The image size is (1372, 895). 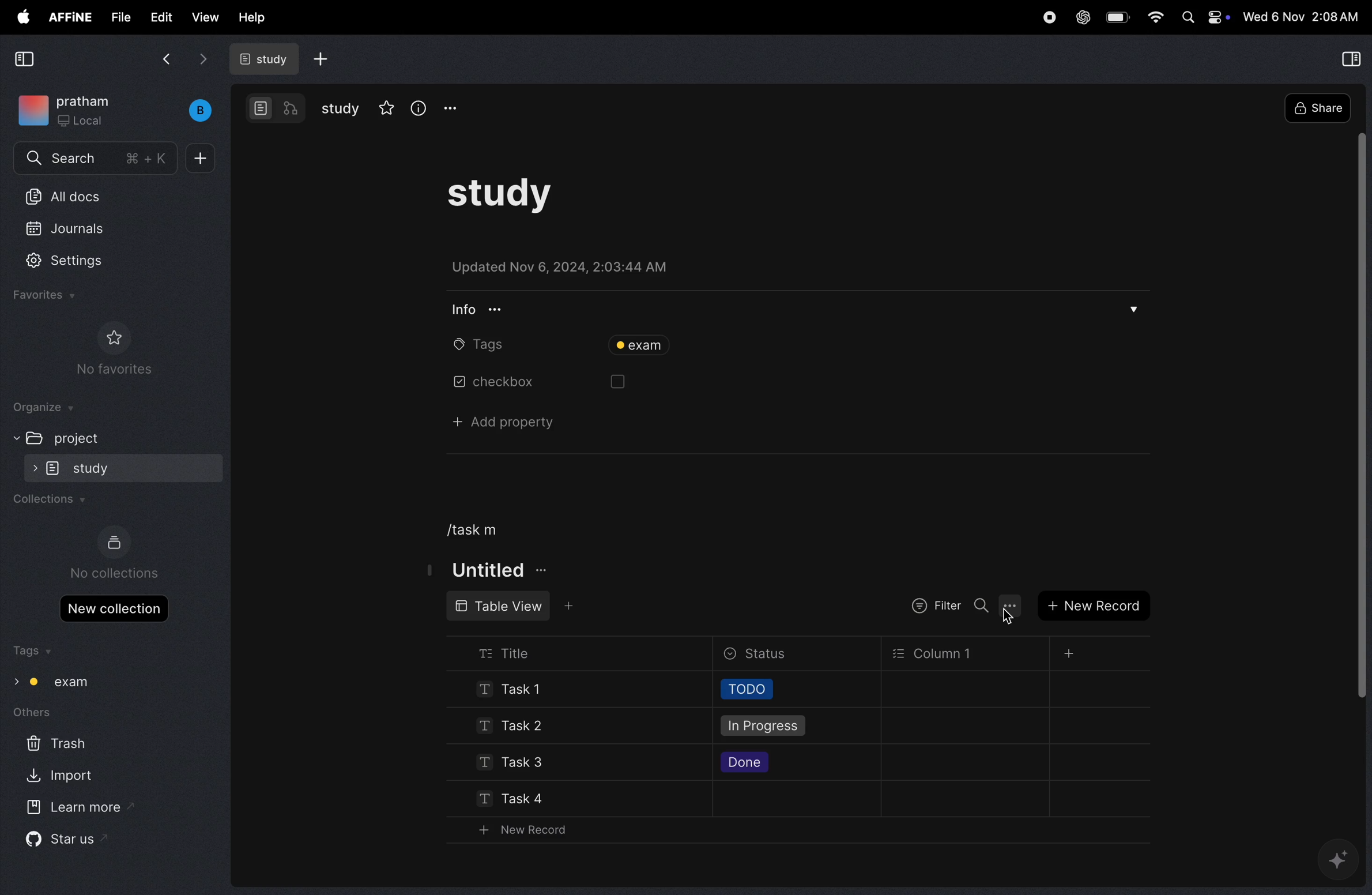 What do you see at coordinates (499, 606) in the screenshot?
I see `table view` at bounding box center [499, 606].